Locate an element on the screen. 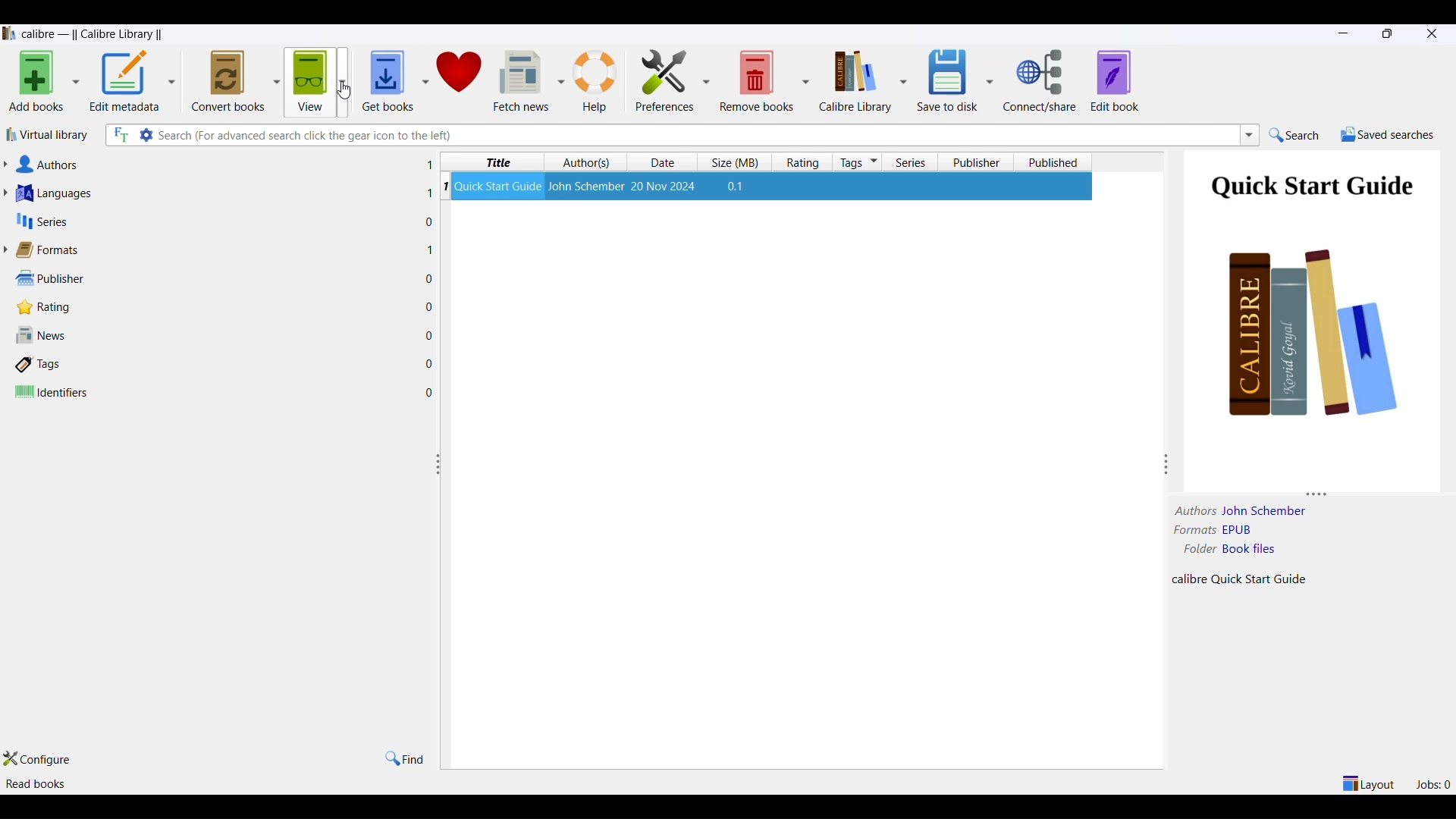 The image size is (1456, 819). view is located at coordinates (309, 83).